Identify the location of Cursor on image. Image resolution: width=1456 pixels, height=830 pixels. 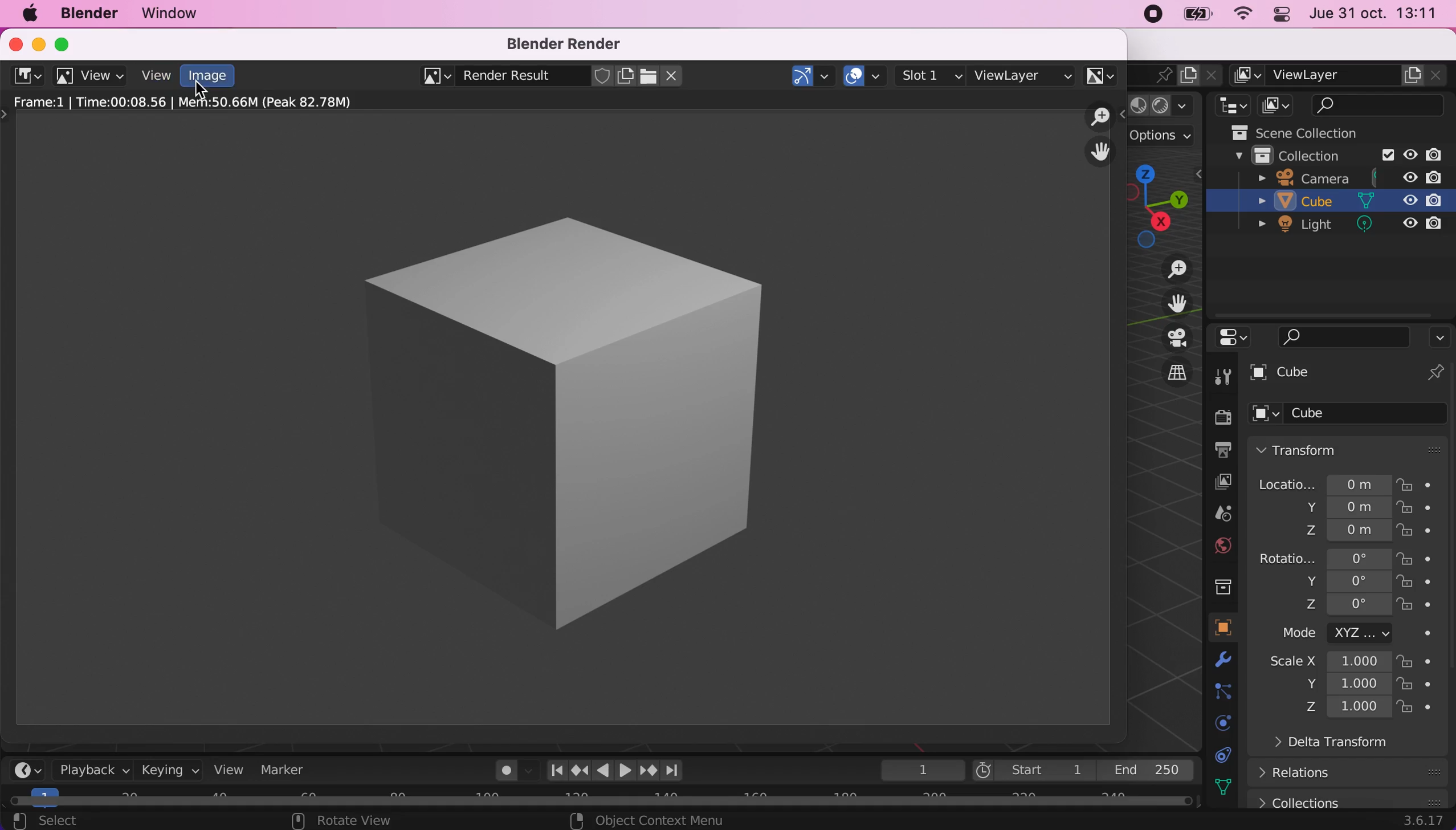
(212, 78).